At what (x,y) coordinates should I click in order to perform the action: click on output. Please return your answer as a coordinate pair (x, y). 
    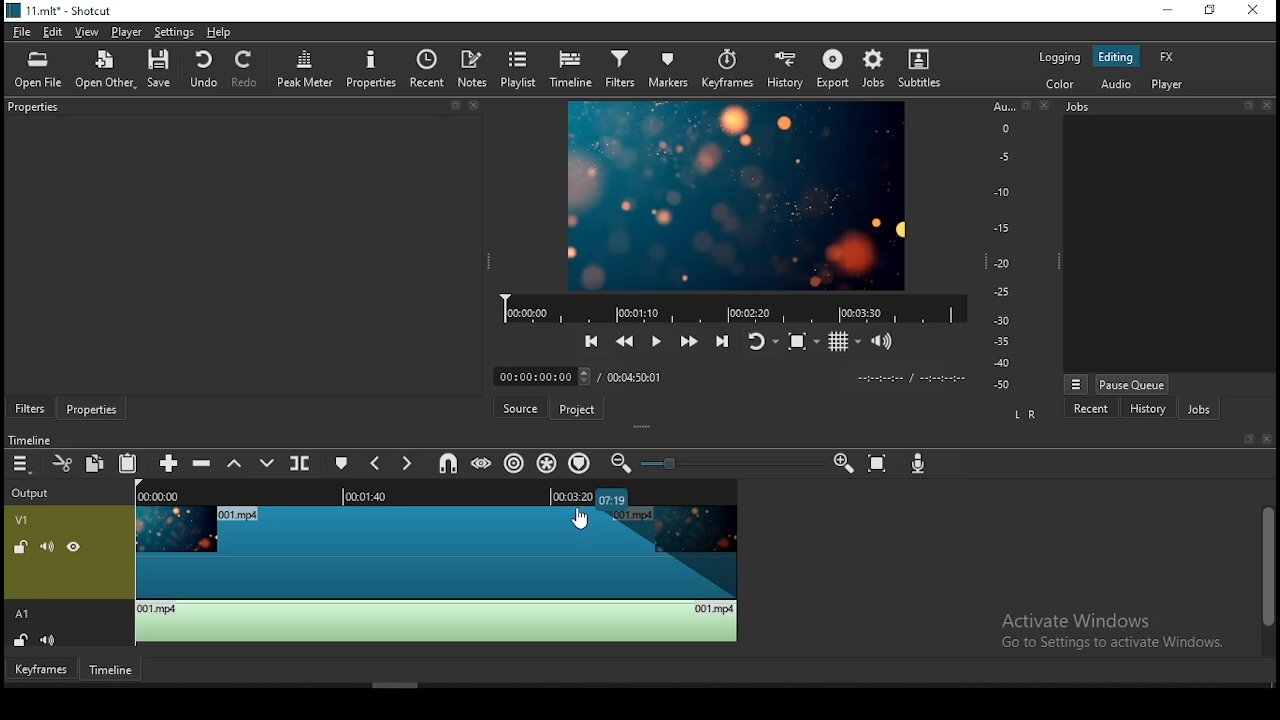
    Looking at the image, I should click on (34, 494).